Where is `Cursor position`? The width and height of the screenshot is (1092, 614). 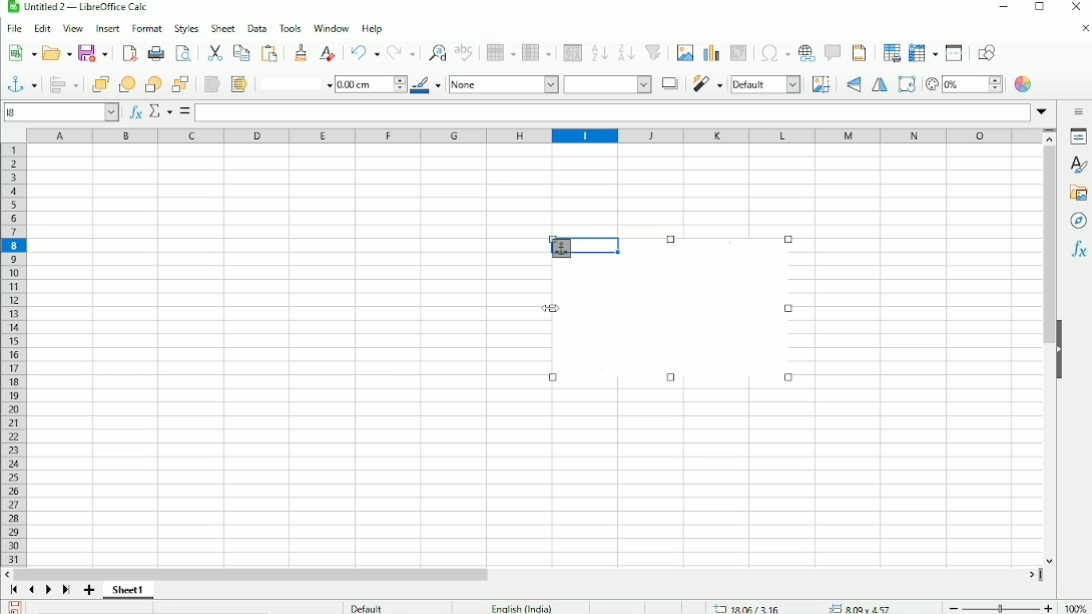
Cursor position is located at coordinates (806, 607).